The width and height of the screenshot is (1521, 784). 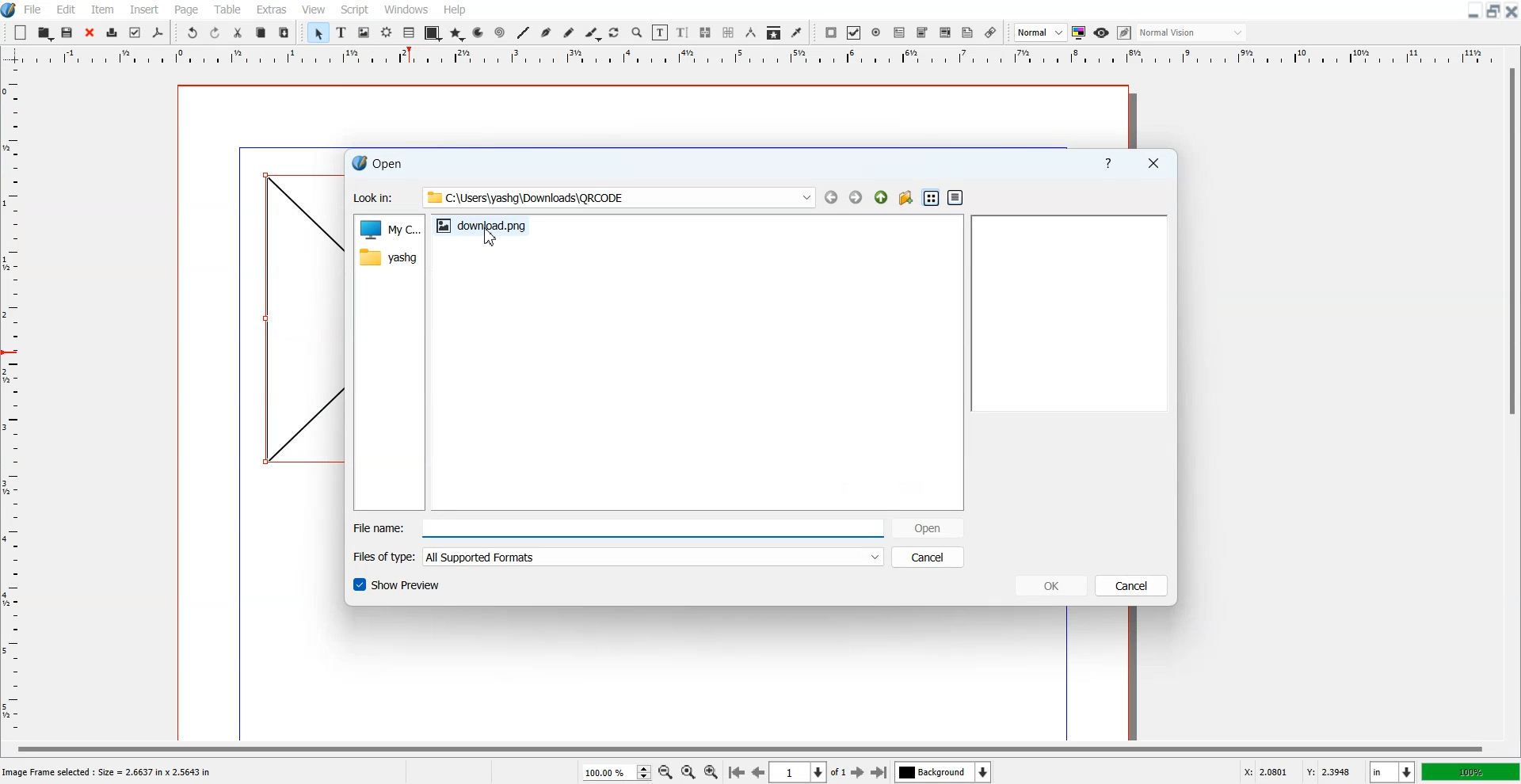 What do you see at coordinates (928, 558) in the screenshot?
I see `Cancel` at bounding box center [928, 558].